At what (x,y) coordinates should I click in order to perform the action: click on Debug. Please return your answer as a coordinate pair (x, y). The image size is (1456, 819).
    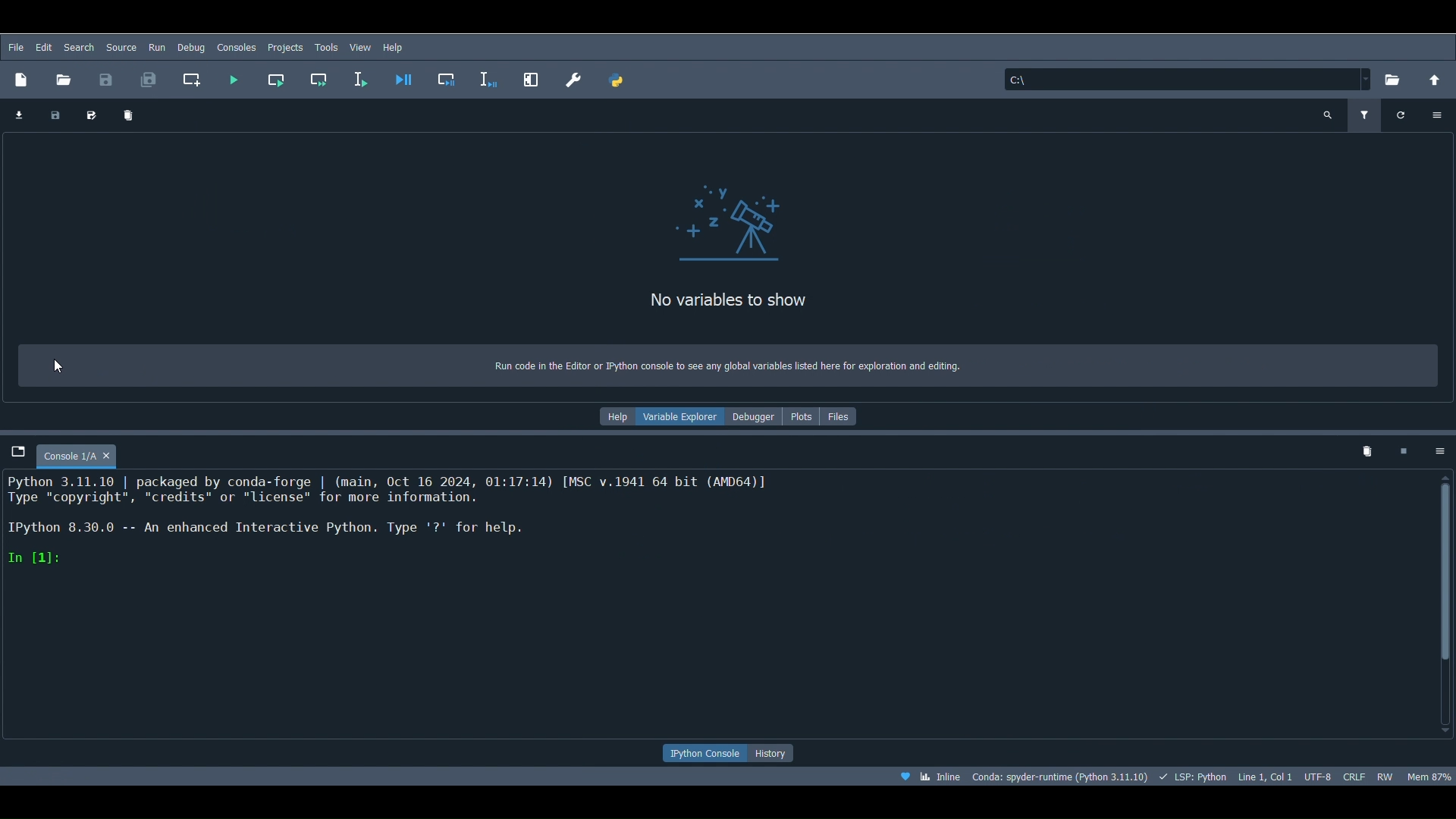
    Looking at the image, I should click on (191, 46).